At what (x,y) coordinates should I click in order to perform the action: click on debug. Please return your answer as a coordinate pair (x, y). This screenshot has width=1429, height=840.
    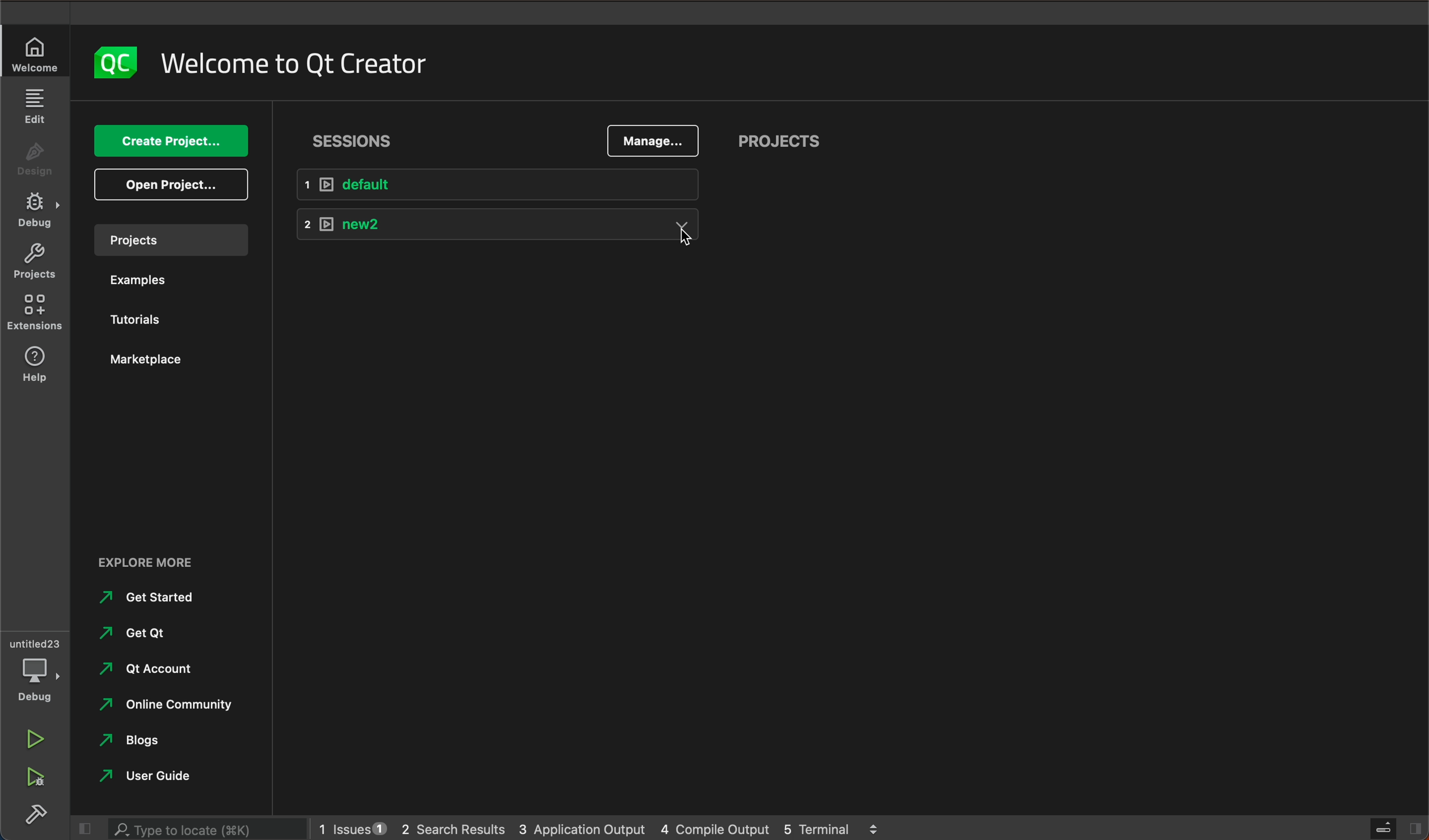
    Looking at the image, I should click on (38, 211).